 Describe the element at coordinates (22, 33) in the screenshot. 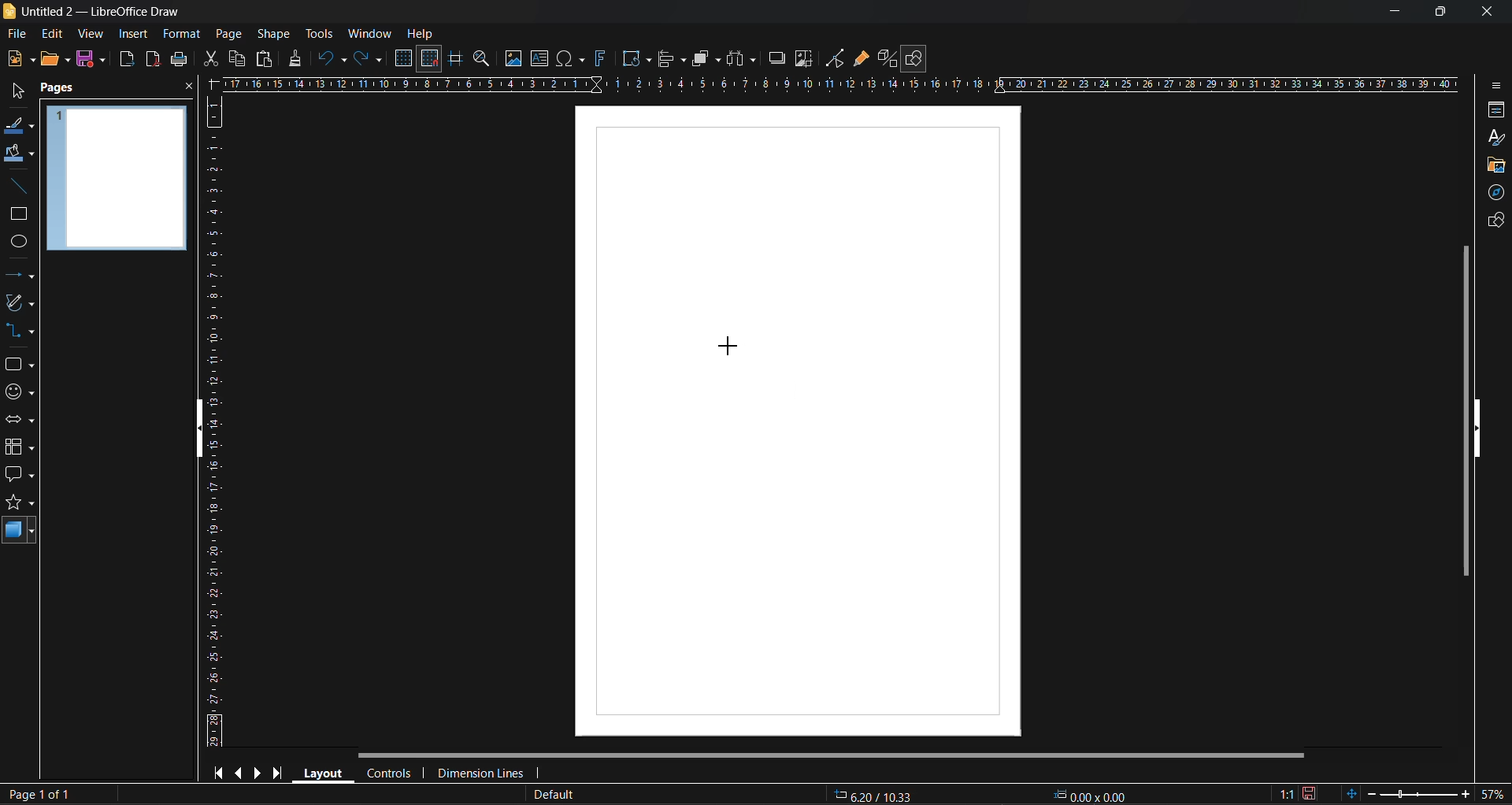

I see `file` at that location.